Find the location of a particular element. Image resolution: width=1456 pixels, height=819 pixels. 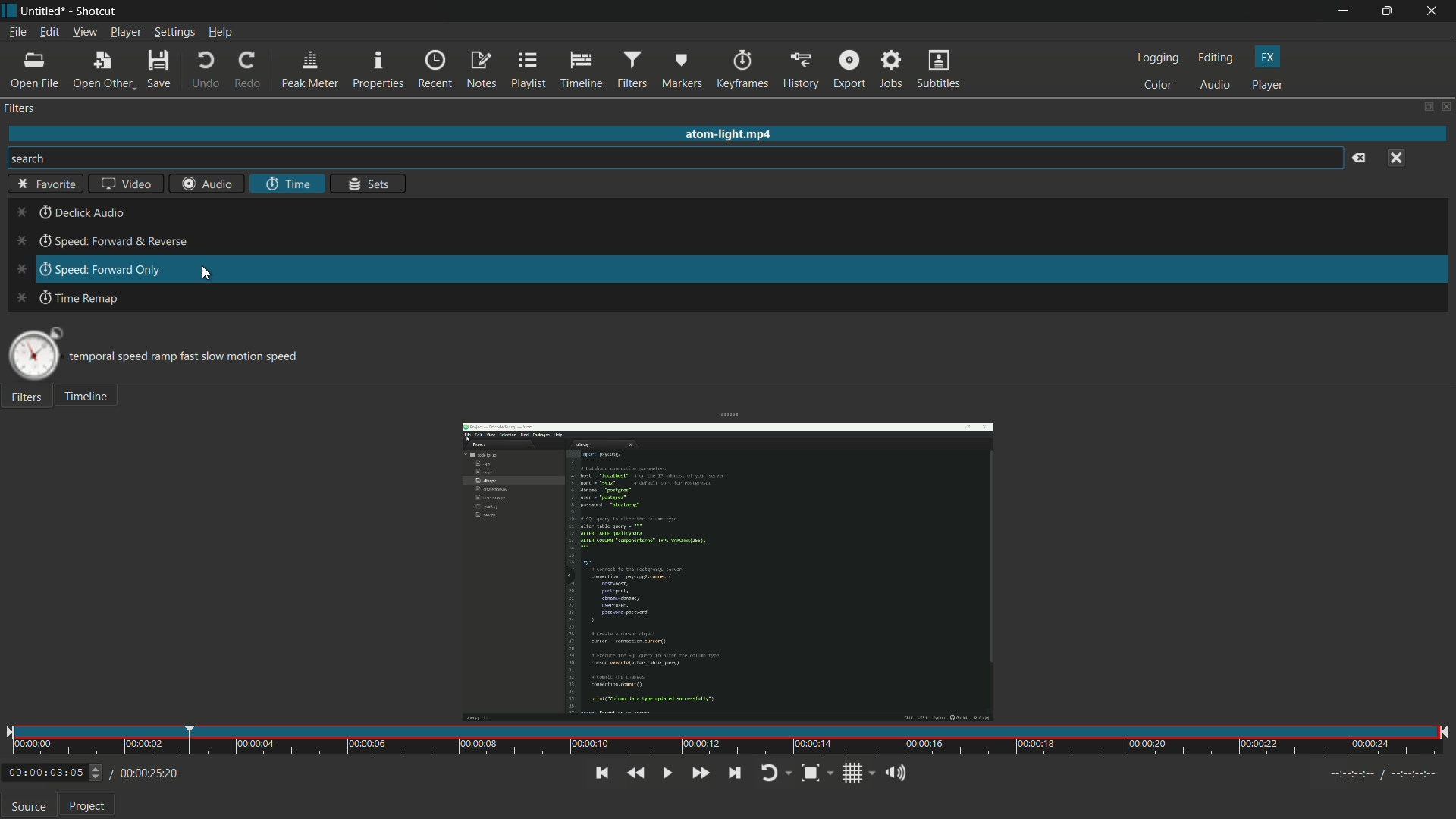

keyframes is located at coordinates (743, 69).